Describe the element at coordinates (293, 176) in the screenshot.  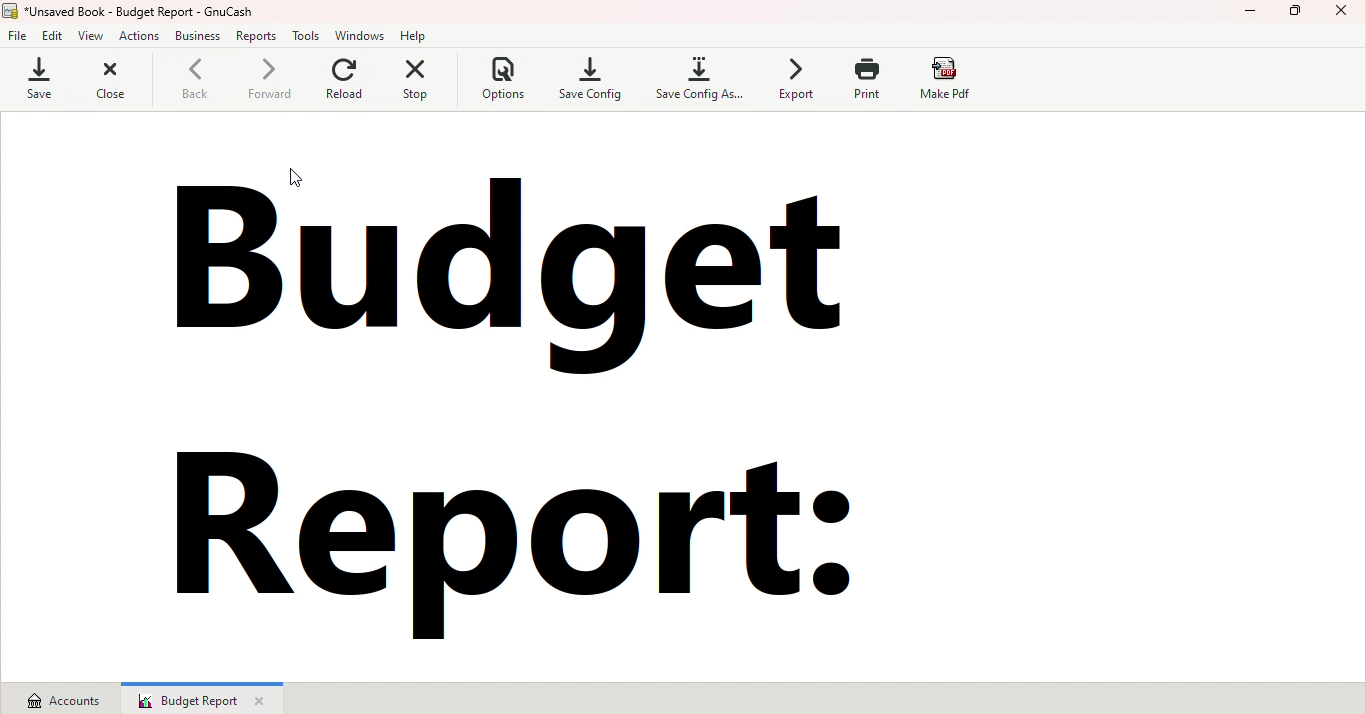
I see `Cursor` at that location.